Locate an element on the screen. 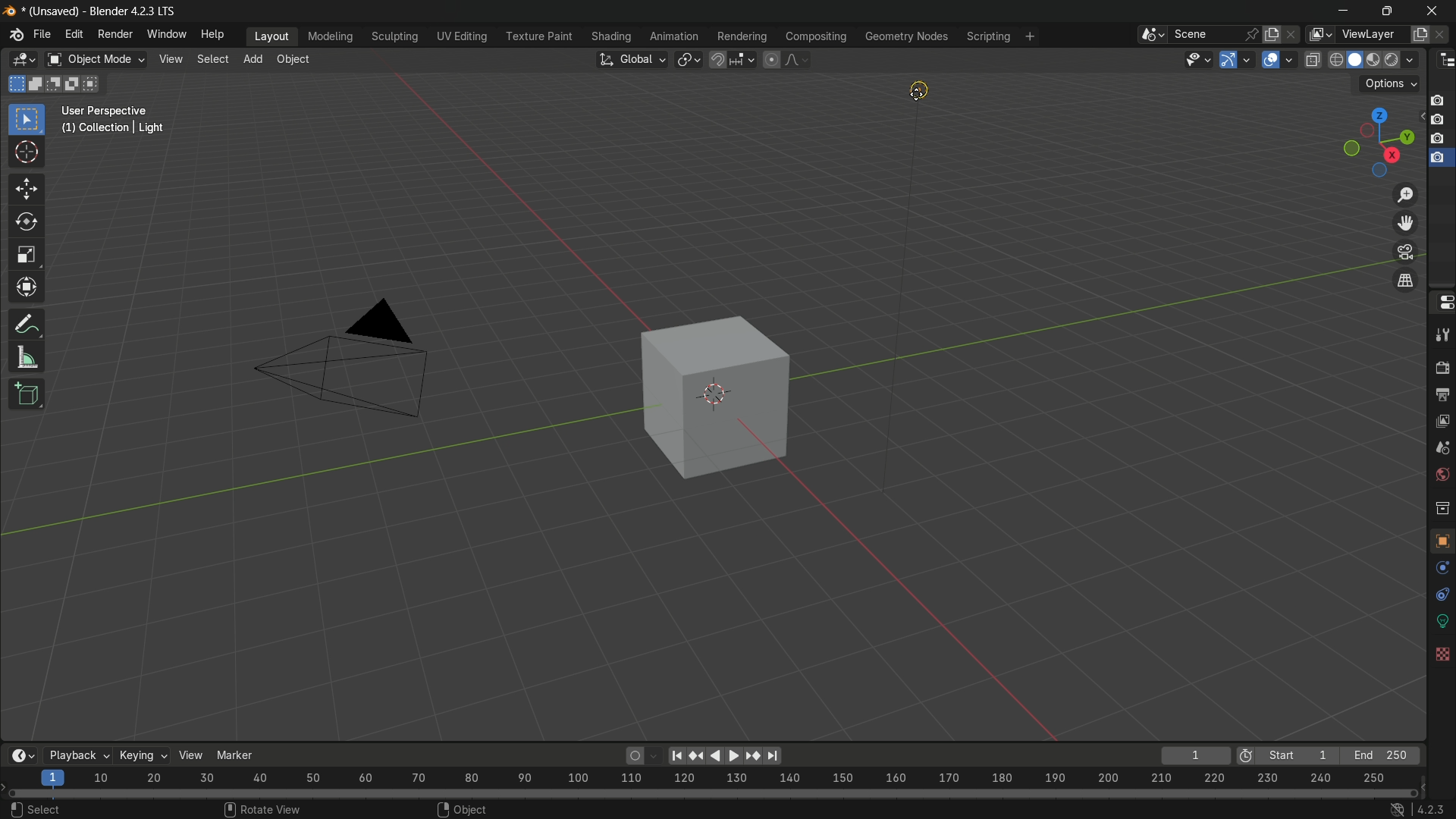 Image resolution: width=1456 pixels, height=819 pixels. remove view layer is located at coordinates (1442, 36).